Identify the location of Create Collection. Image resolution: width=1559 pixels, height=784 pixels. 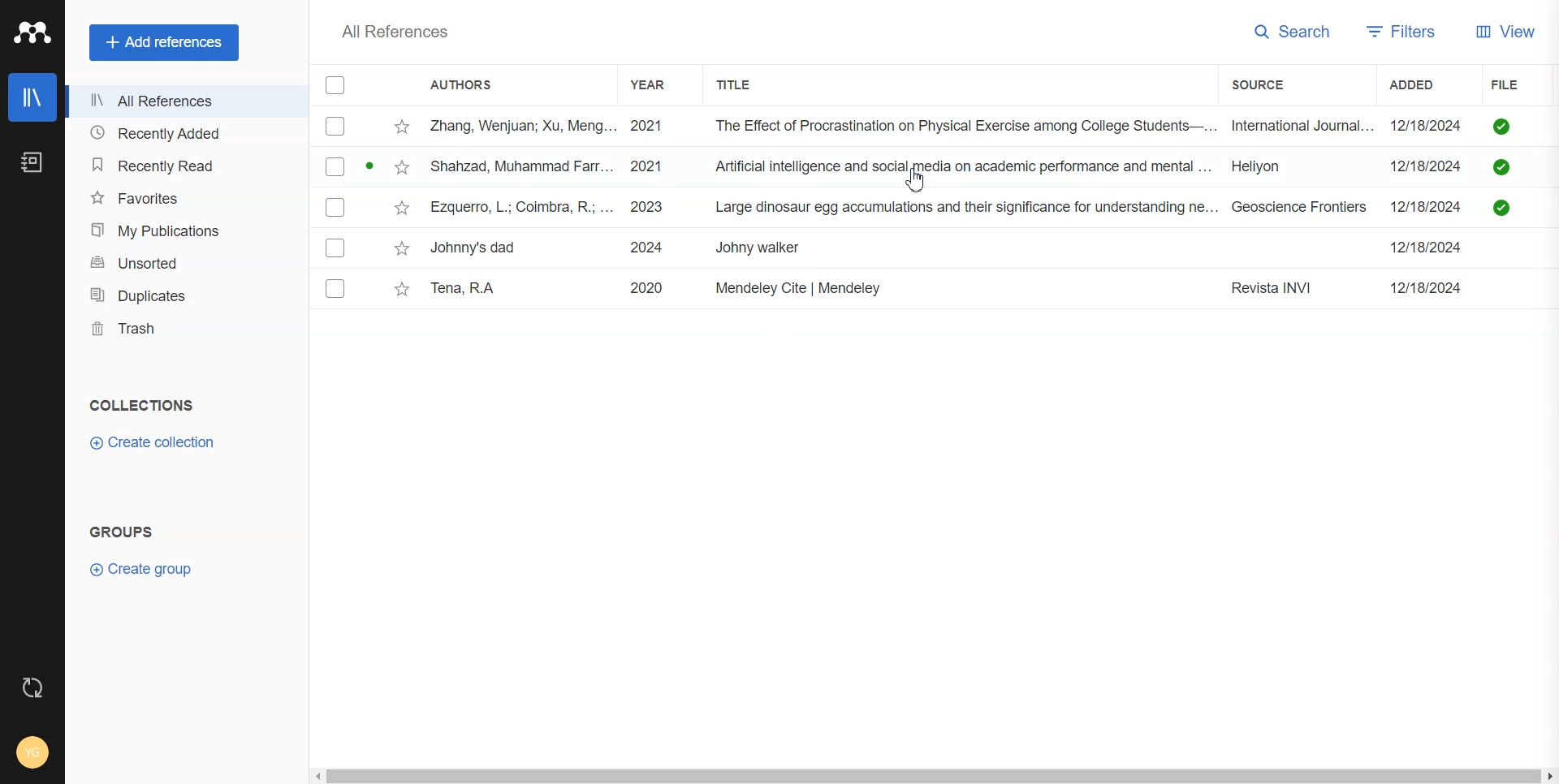
(154, 443).